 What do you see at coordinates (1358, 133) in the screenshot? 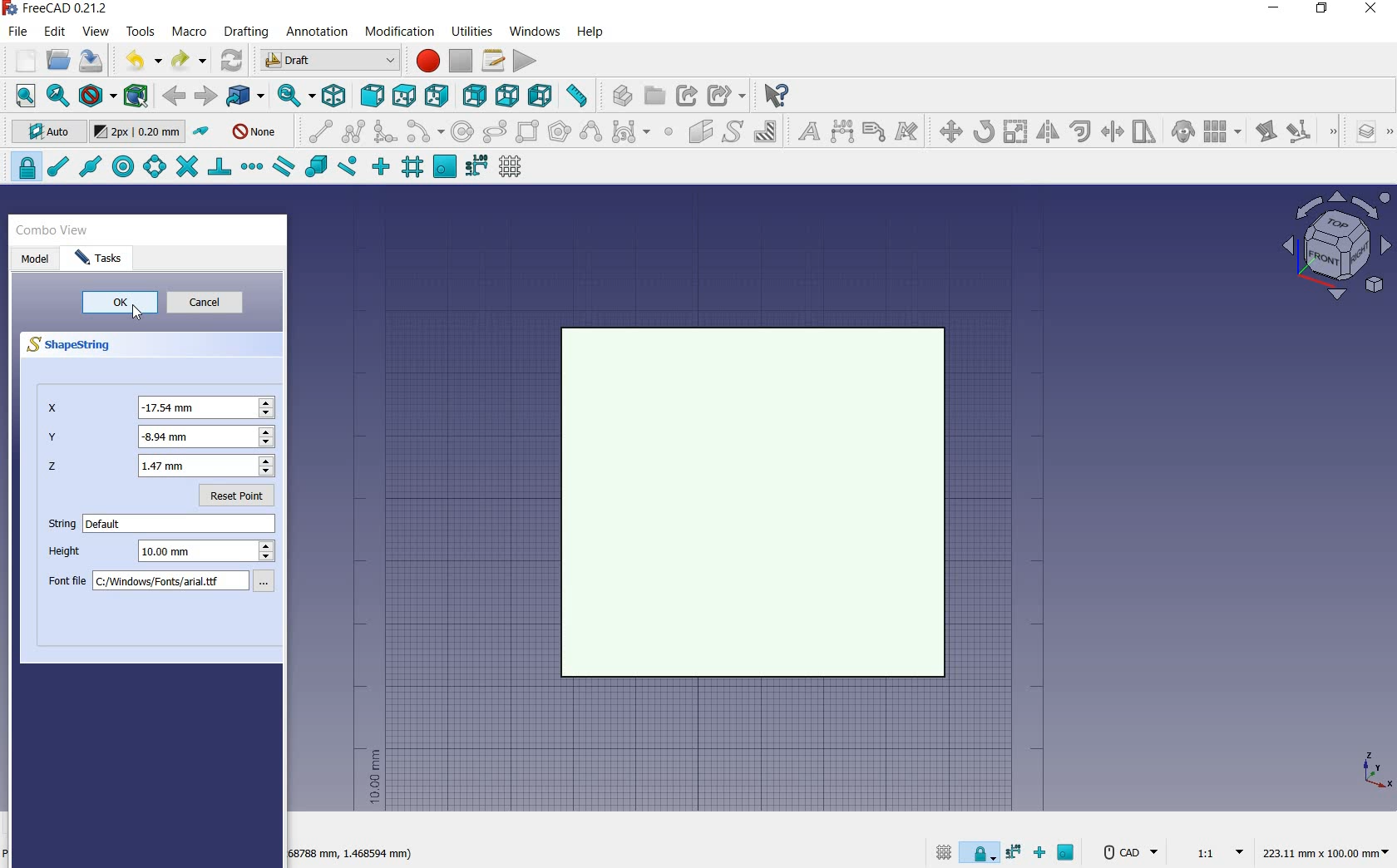
I see `manage layers` at bounding box center [1358, 133].